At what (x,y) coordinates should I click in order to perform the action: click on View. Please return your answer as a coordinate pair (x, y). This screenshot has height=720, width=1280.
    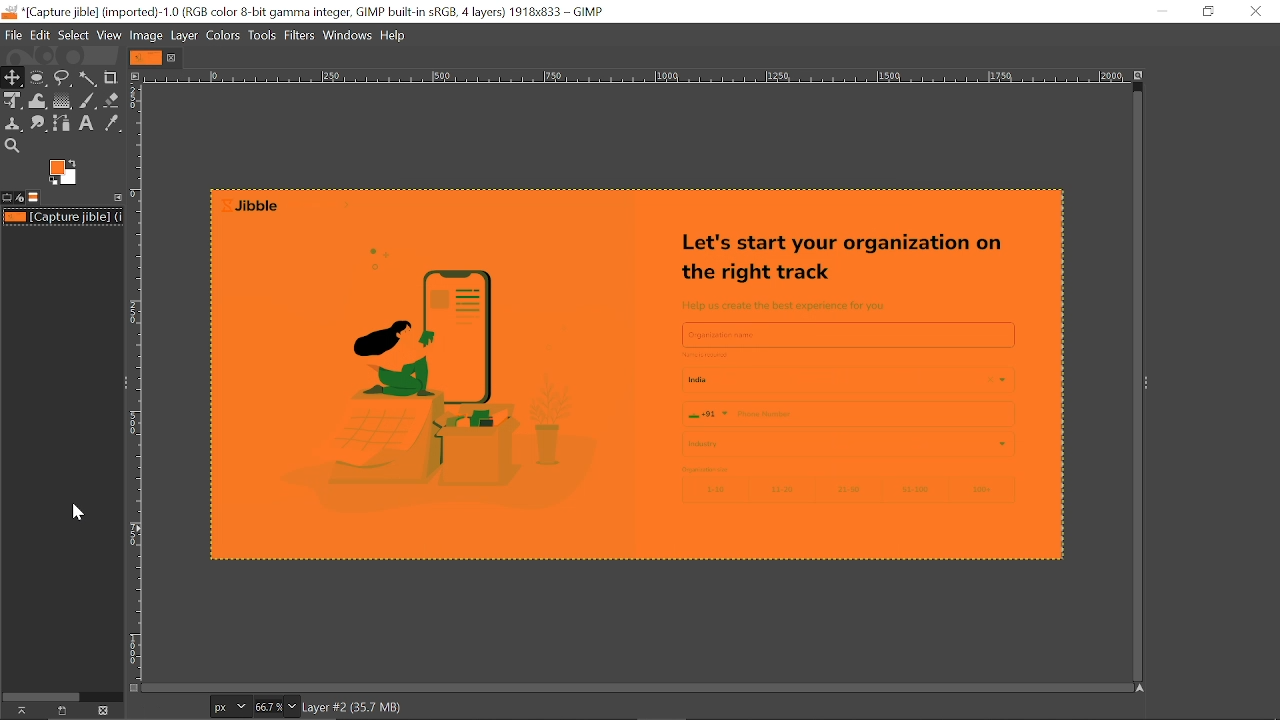
    Looking at the image, I should click on (110, 34).